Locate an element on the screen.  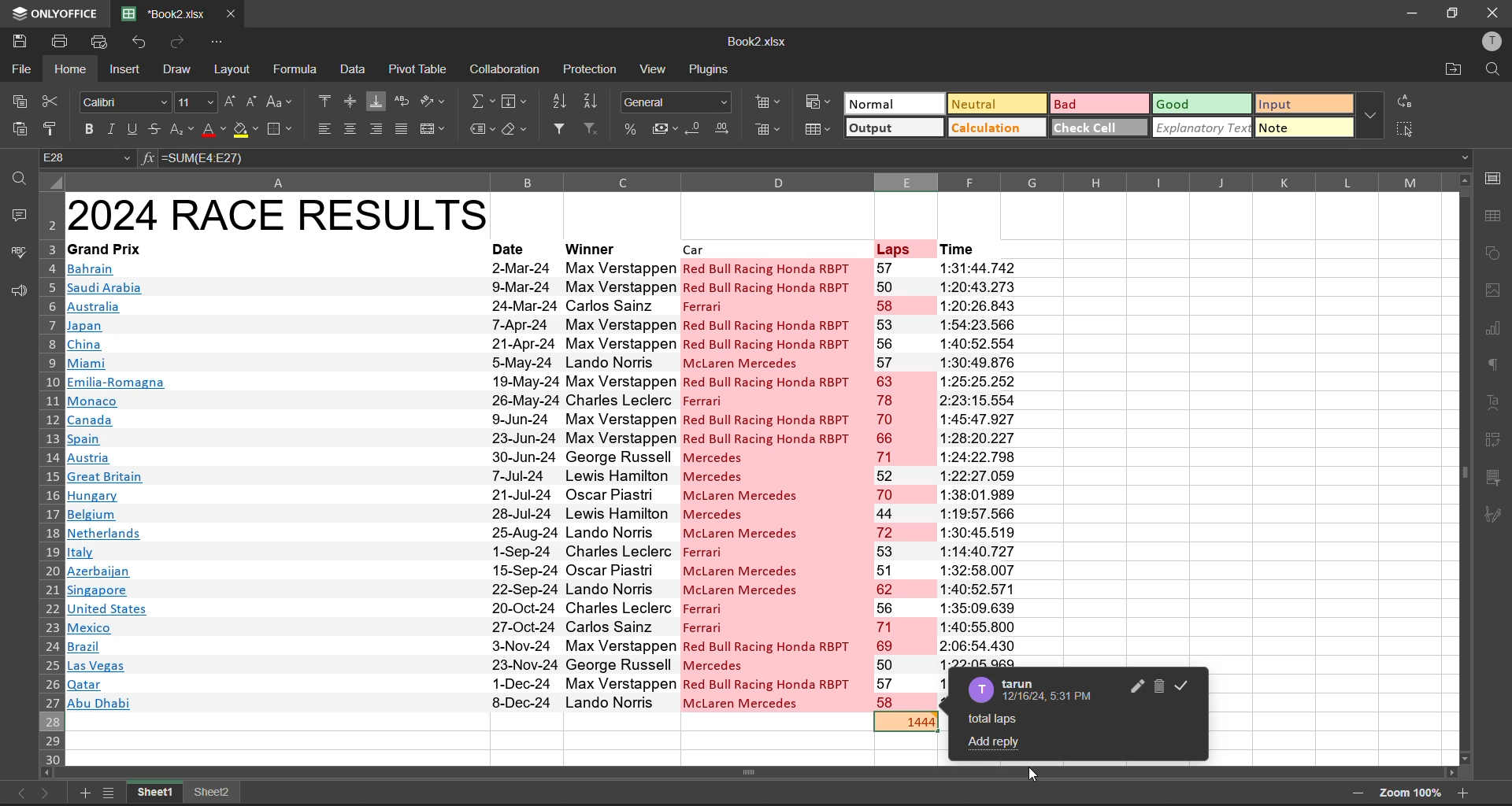
comment is located at coordinates (1004, 719).